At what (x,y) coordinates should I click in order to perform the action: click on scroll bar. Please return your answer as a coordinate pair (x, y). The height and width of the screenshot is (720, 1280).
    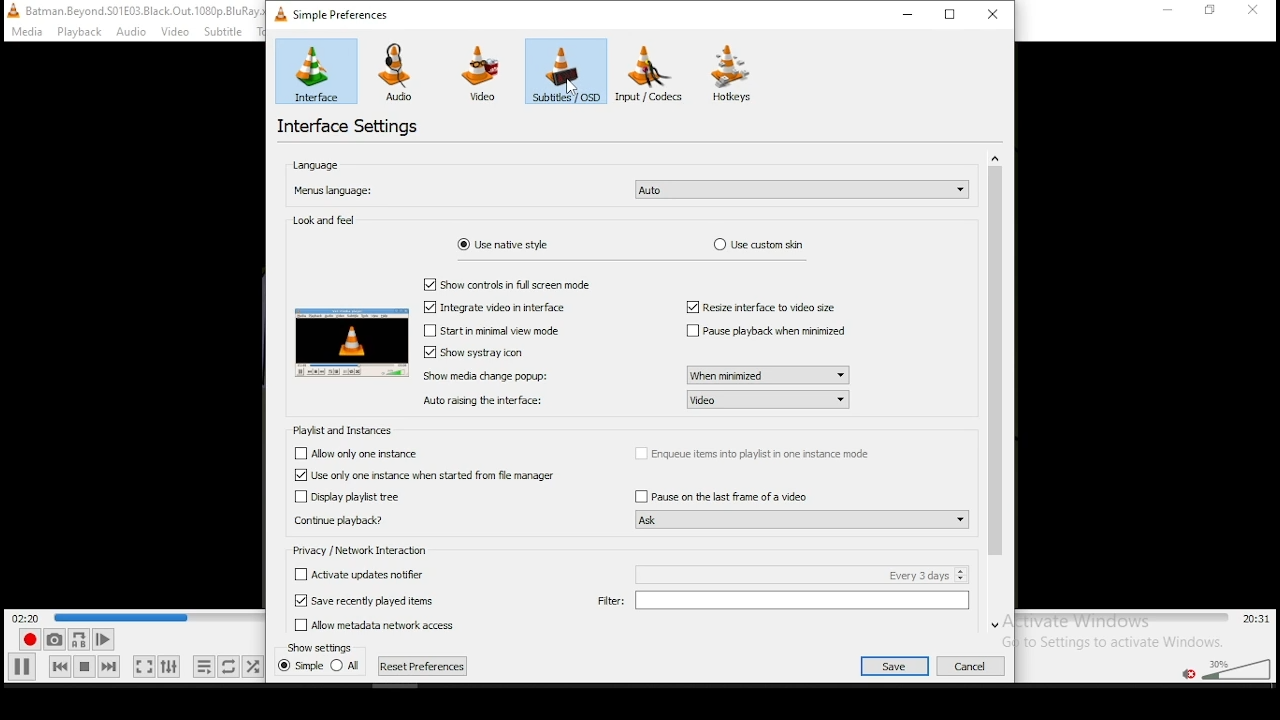
    Looking at the image, I should click on (997, 389).